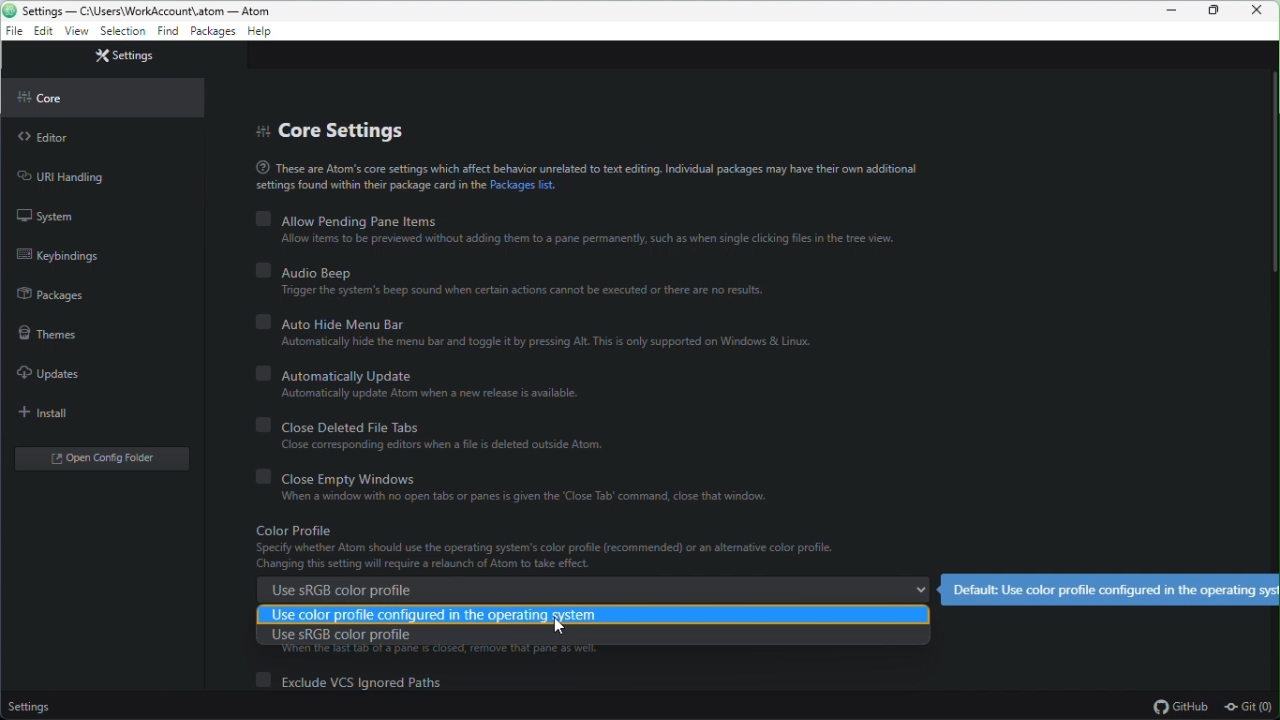 Image resolution: width=1280 pixels, height=720 pixels. What do you see at coordinates (69, 95) in the screenshot?
I see `Core` at bounding box center [69, 95].